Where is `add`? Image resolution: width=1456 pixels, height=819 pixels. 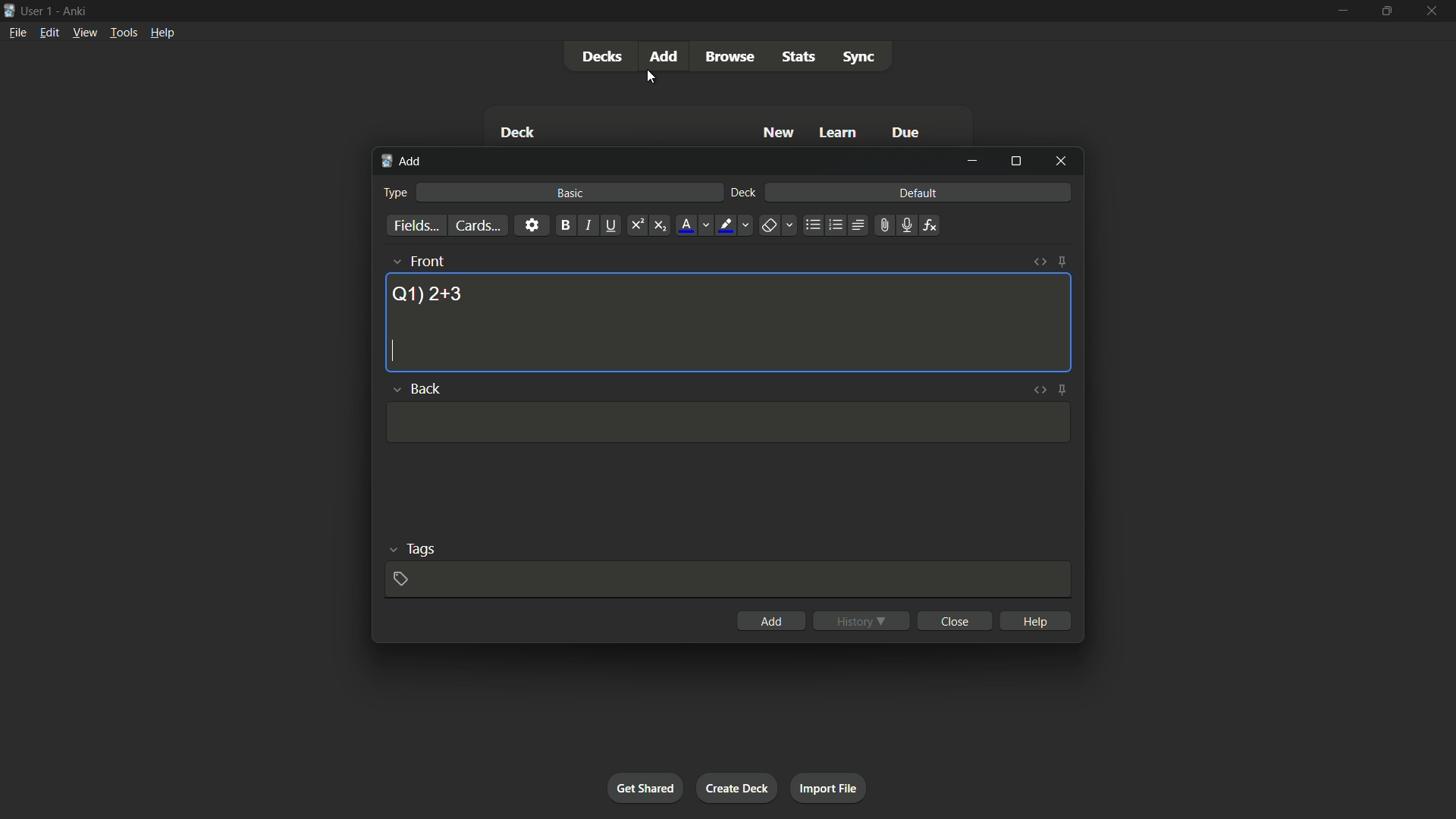 add is located at coordinates (772, 621).